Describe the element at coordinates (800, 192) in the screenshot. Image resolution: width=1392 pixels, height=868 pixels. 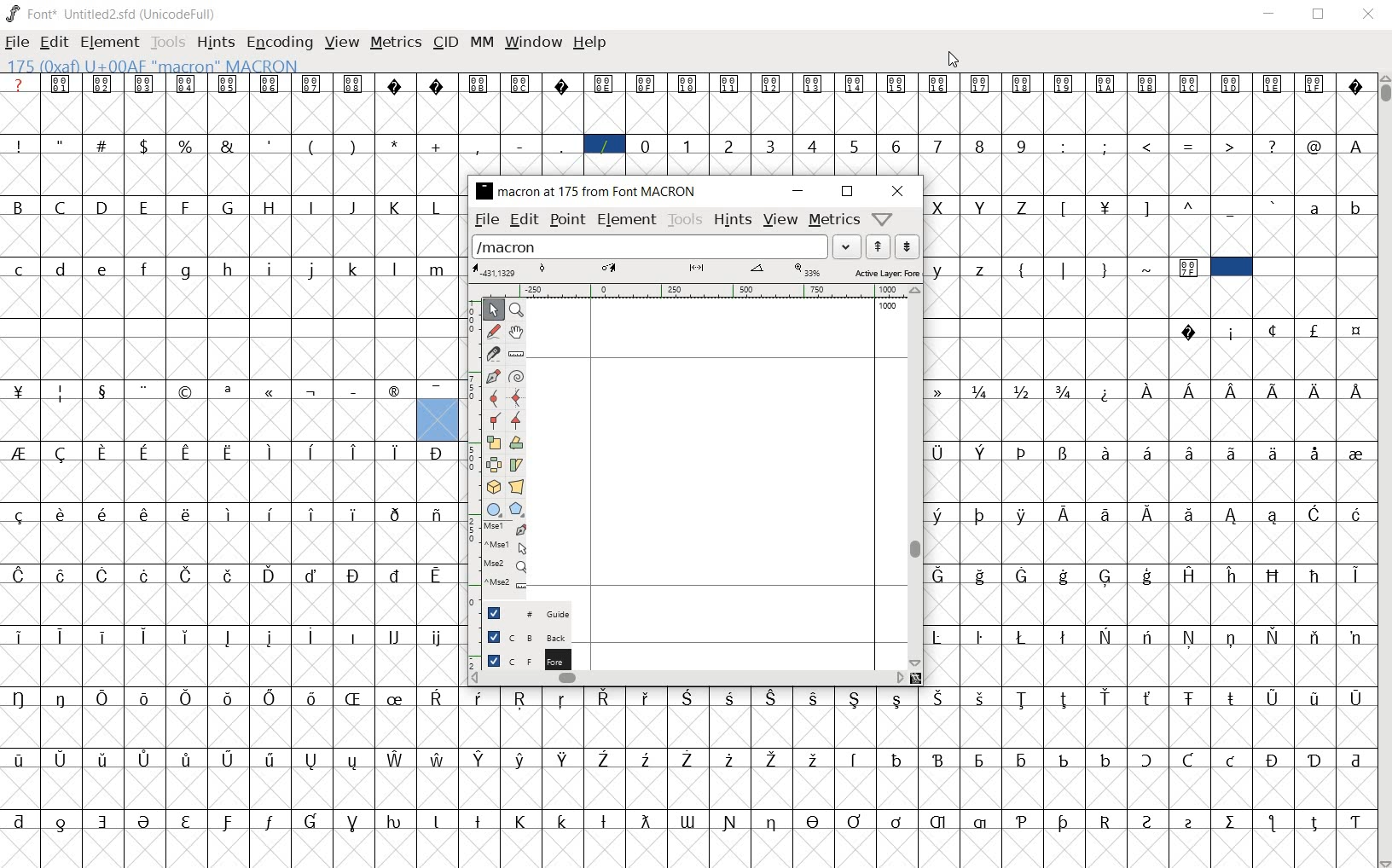
I see `minimize` at that location.